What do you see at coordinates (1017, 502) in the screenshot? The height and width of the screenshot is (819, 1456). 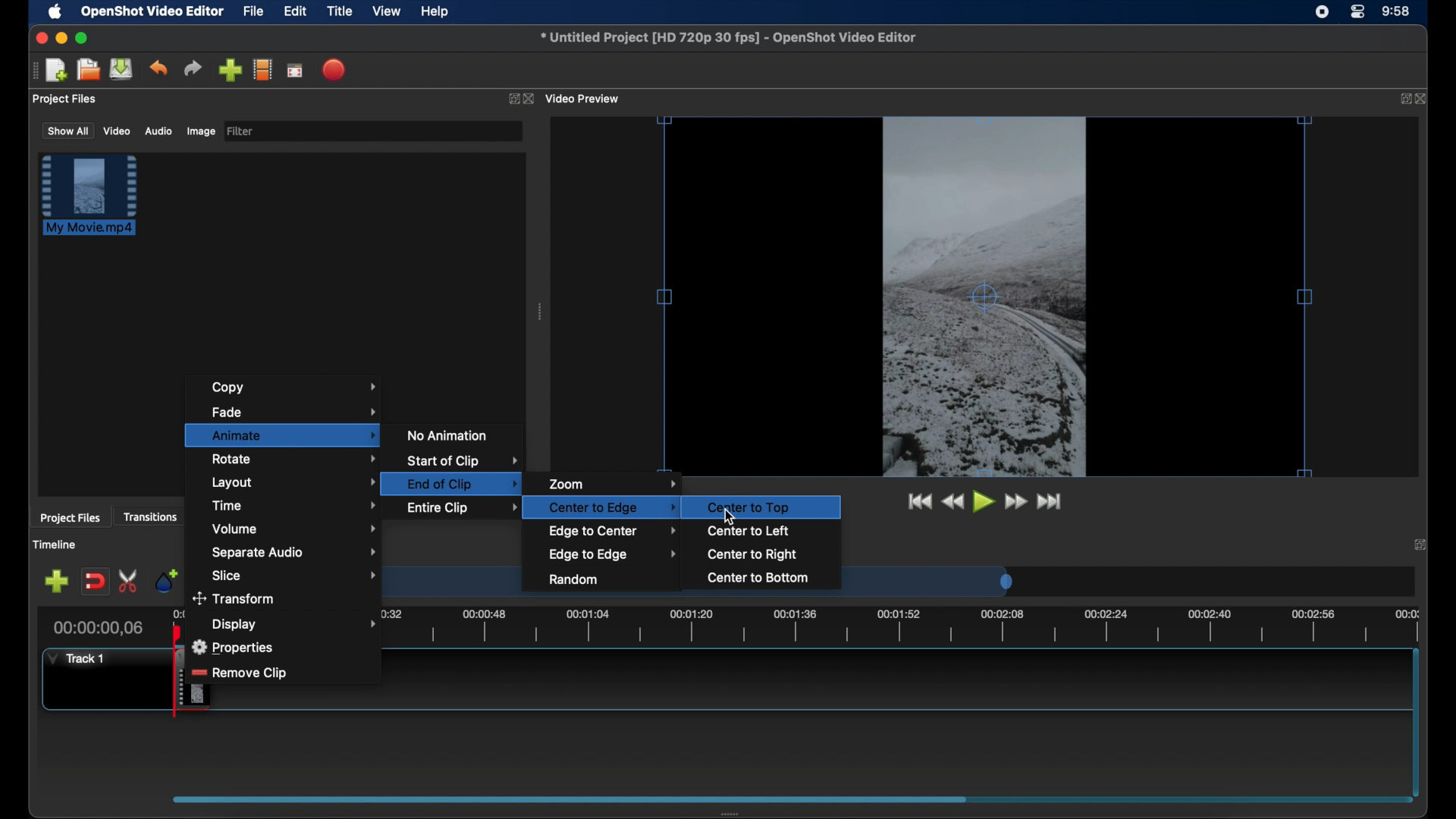 I see `fast forward` at bounding box center [1017, 502].